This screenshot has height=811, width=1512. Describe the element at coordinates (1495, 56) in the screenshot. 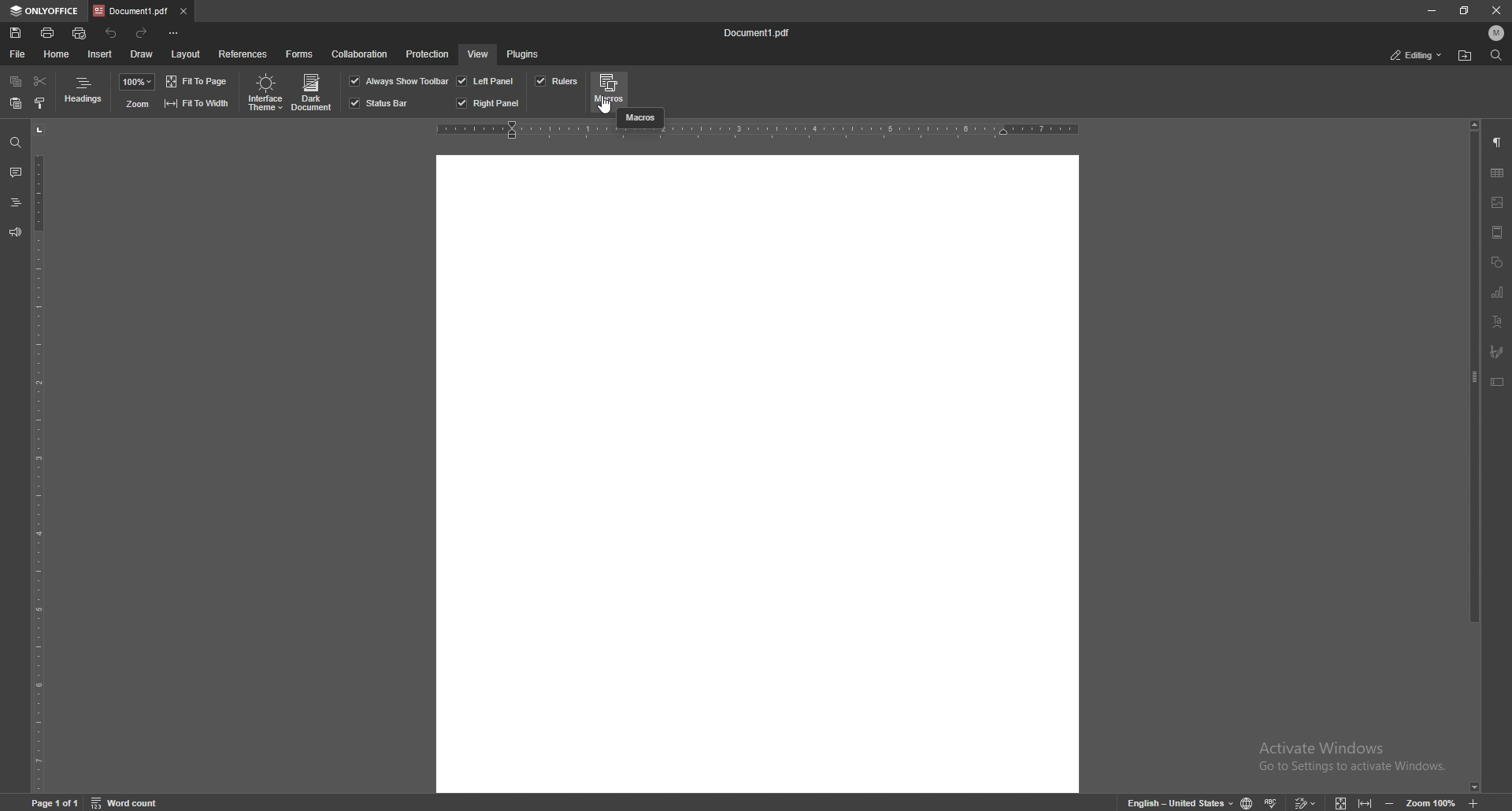

I see `find` at that location.